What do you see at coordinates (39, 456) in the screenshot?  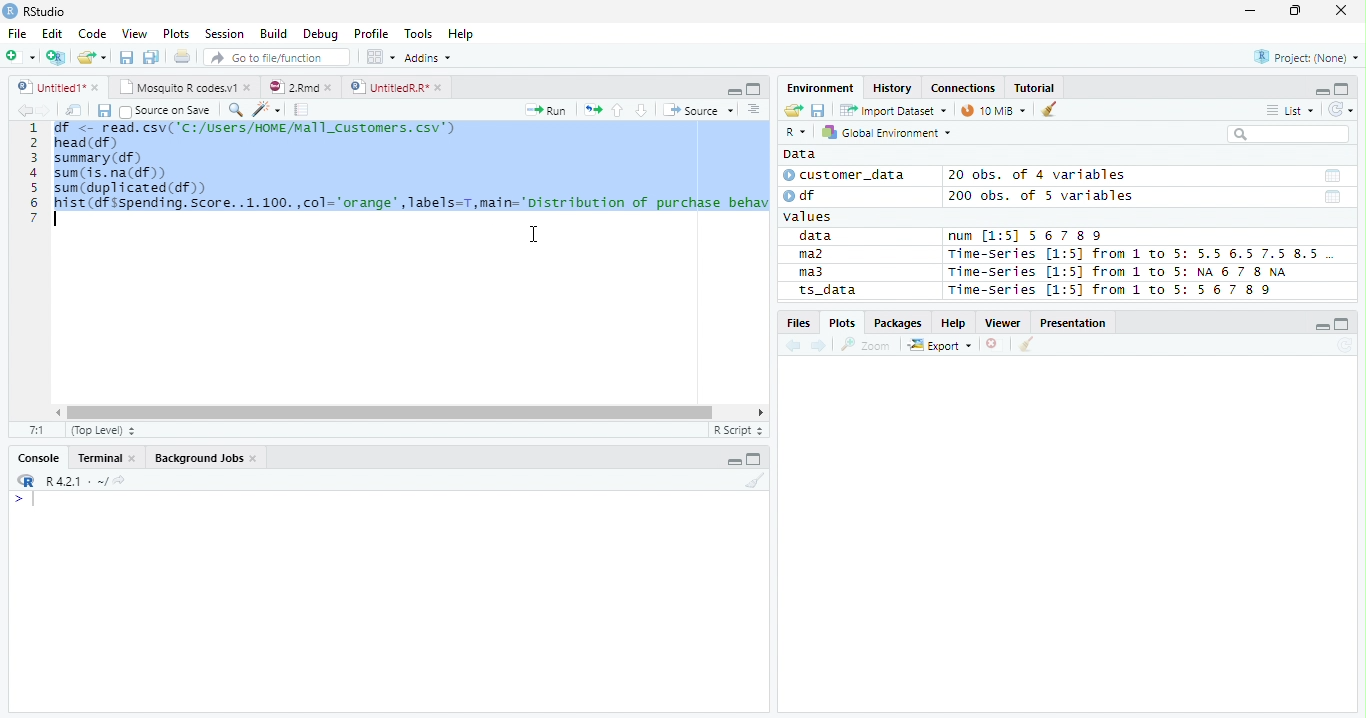 I see `Console` at bounding box center [39, 456].